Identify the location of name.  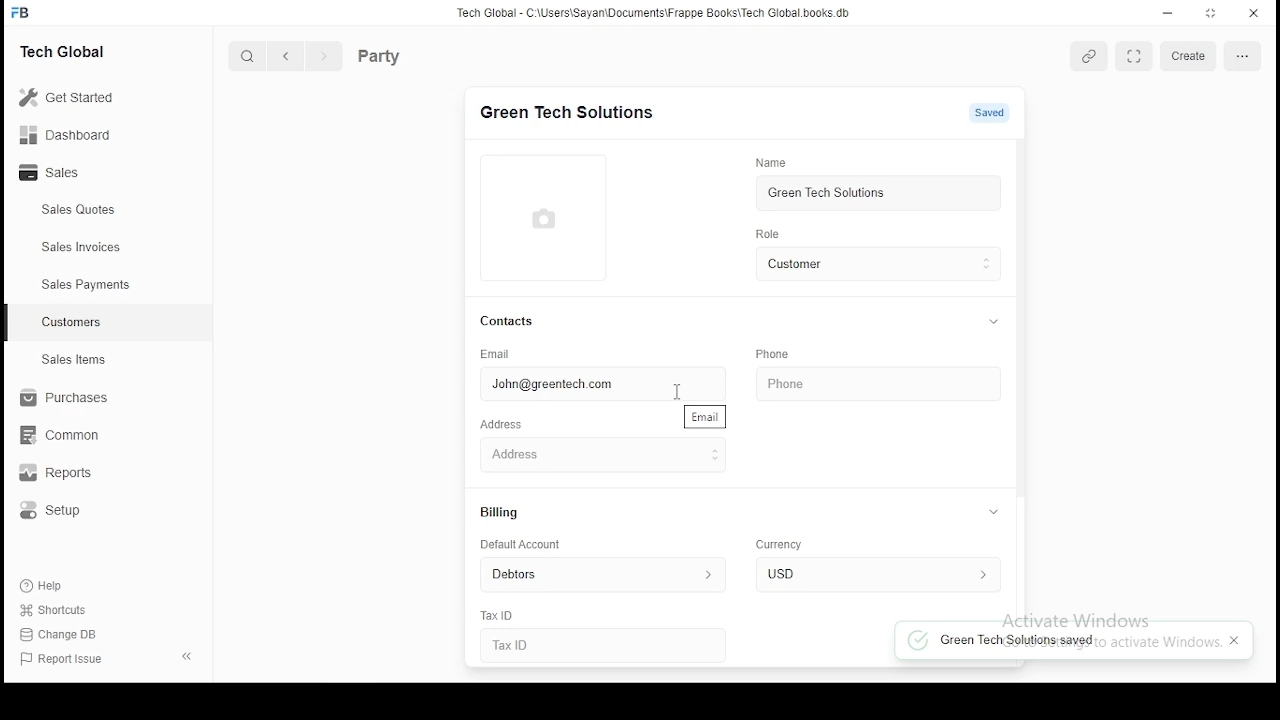
(776, 163).